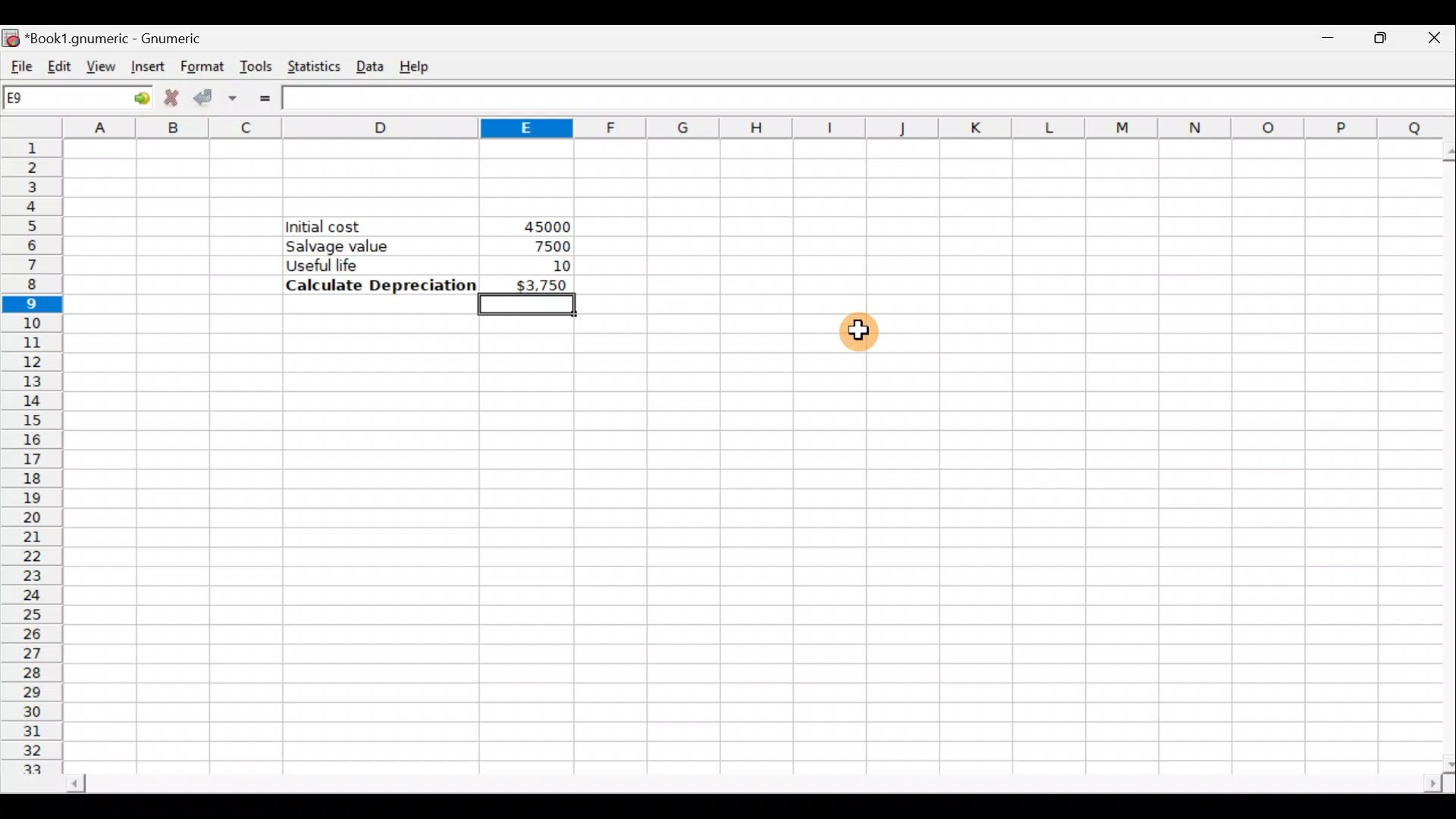 This screenshot has width=1456, height=819. Describe the element at coordinates (133, 38) in the screenshot. I see `*Book1.gnumeric - Gnumeric` at that location.